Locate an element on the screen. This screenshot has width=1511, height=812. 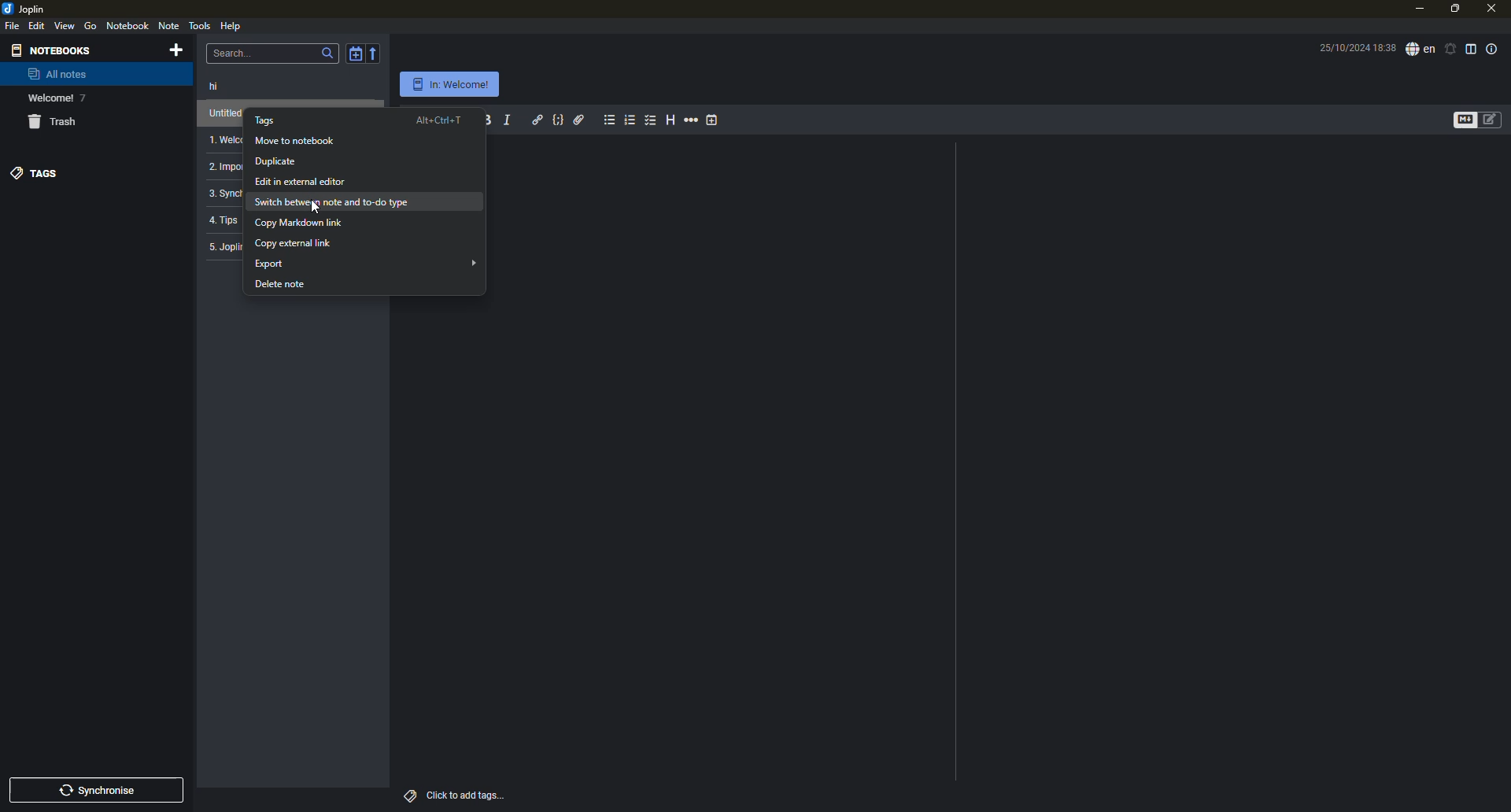
code is located at coordinates (559, 119).